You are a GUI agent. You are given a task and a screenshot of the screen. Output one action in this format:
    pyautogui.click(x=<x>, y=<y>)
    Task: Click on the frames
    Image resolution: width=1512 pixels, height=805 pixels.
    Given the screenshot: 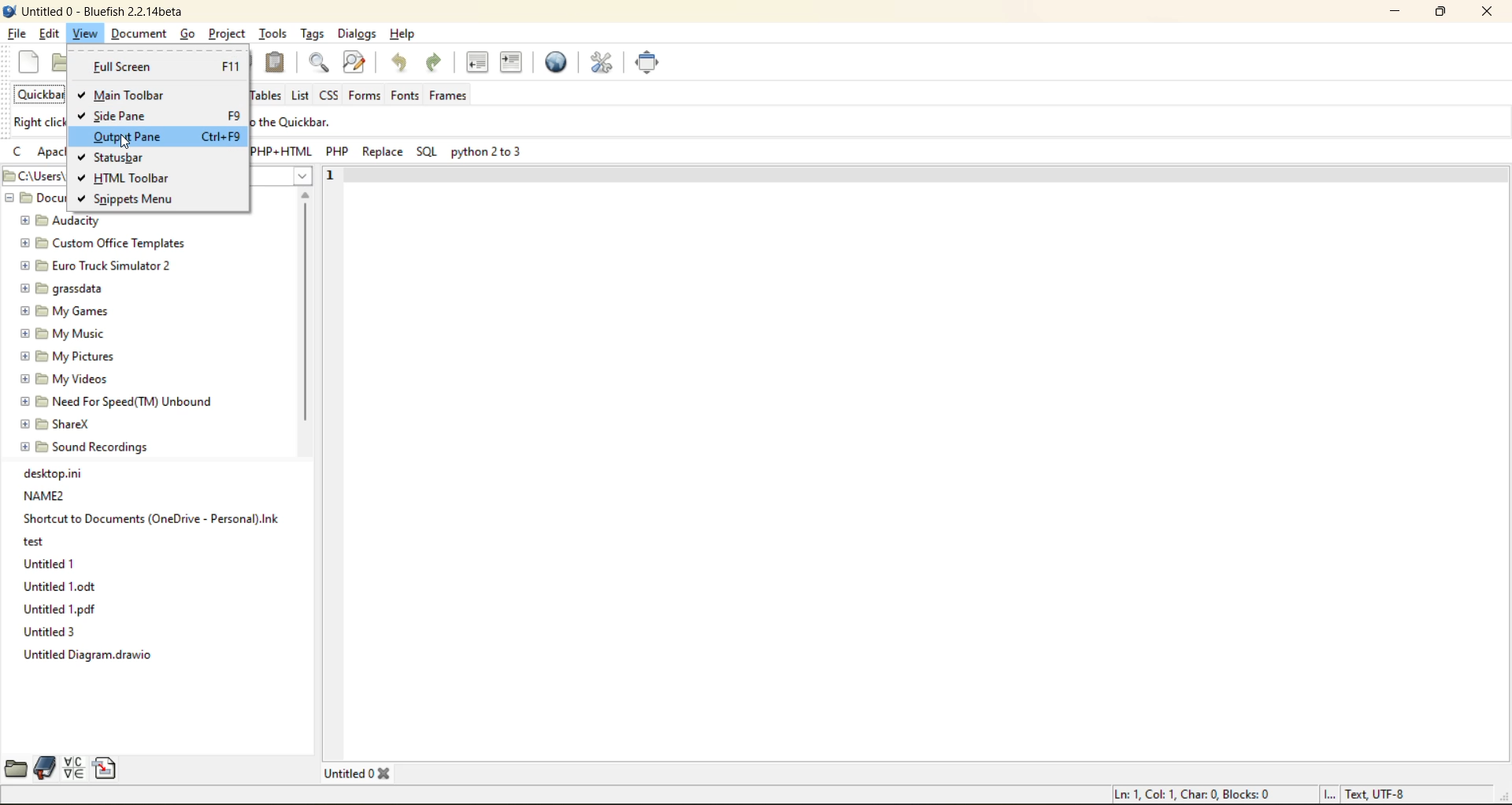 What is the action you would take?
    pyautogui.click(x=452, y=93)
    